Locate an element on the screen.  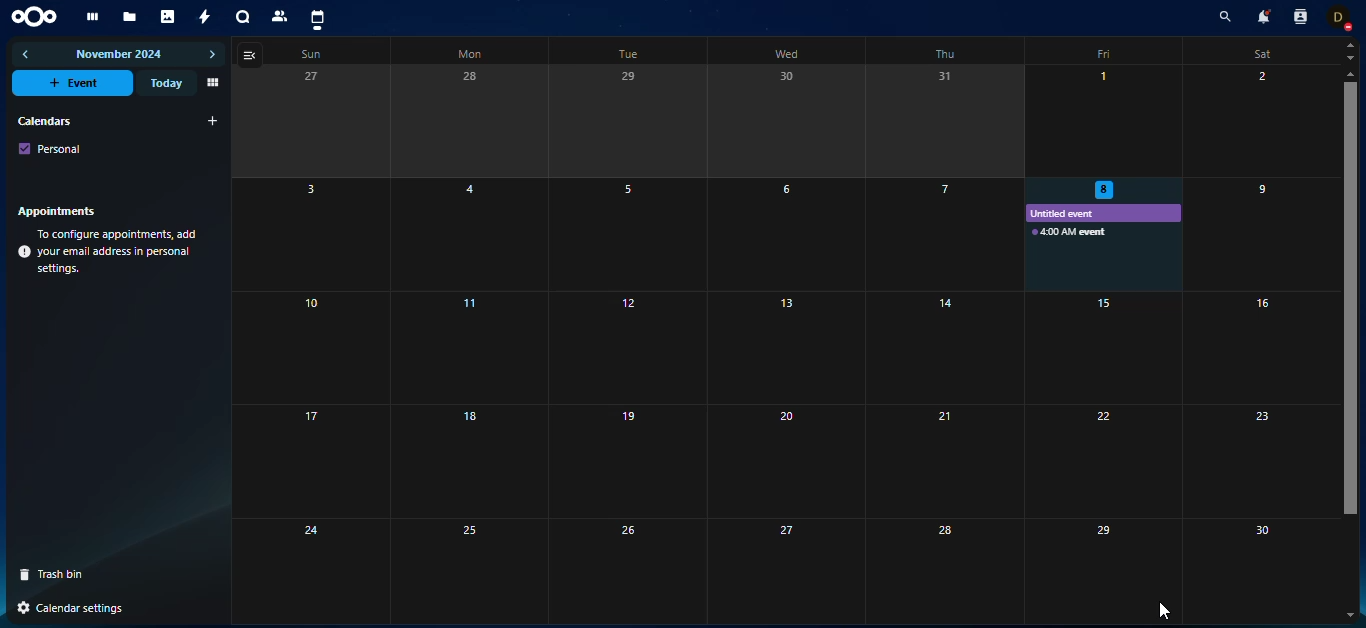
notifications is located at coordinates (1261, 16).